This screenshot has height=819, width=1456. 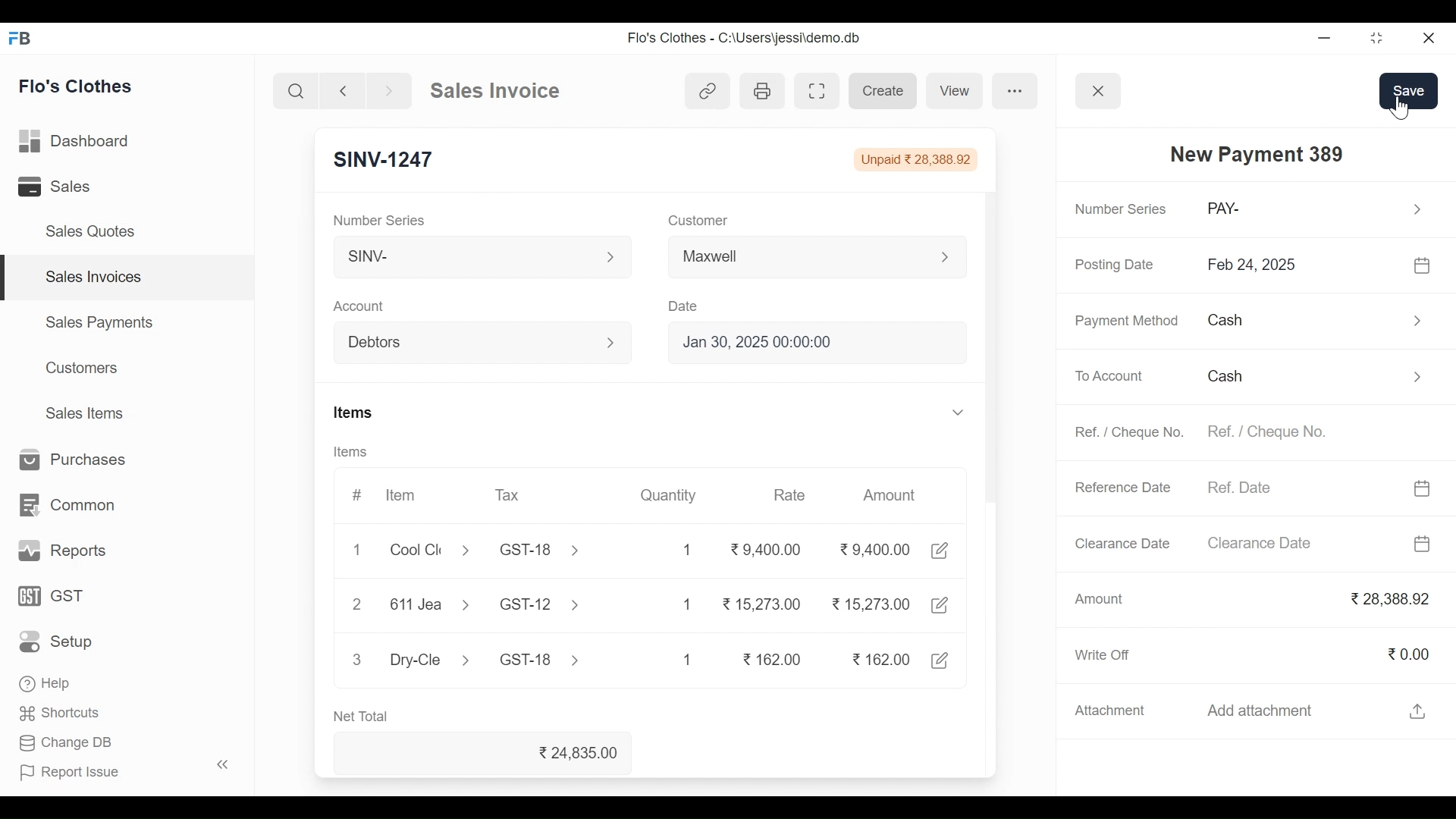 I want to click on Sales Items, so click(x=83, y=413).